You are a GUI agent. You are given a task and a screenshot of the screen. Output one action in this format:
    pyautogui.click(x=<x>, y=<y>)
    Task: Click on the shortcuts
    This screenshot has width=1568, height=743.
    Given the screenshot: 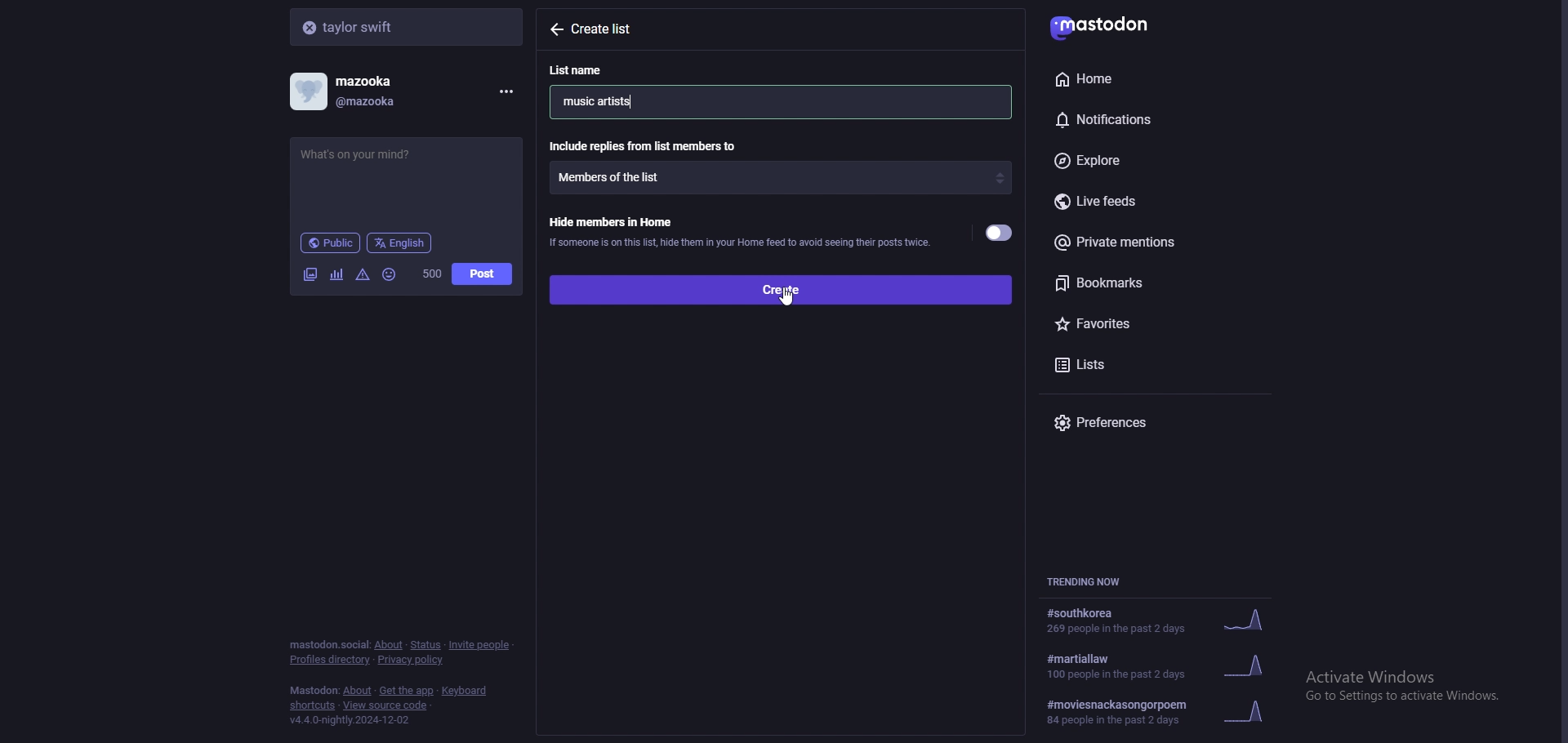 What is the action you would take?
    pyautogui.click(x=313, y=707)
    